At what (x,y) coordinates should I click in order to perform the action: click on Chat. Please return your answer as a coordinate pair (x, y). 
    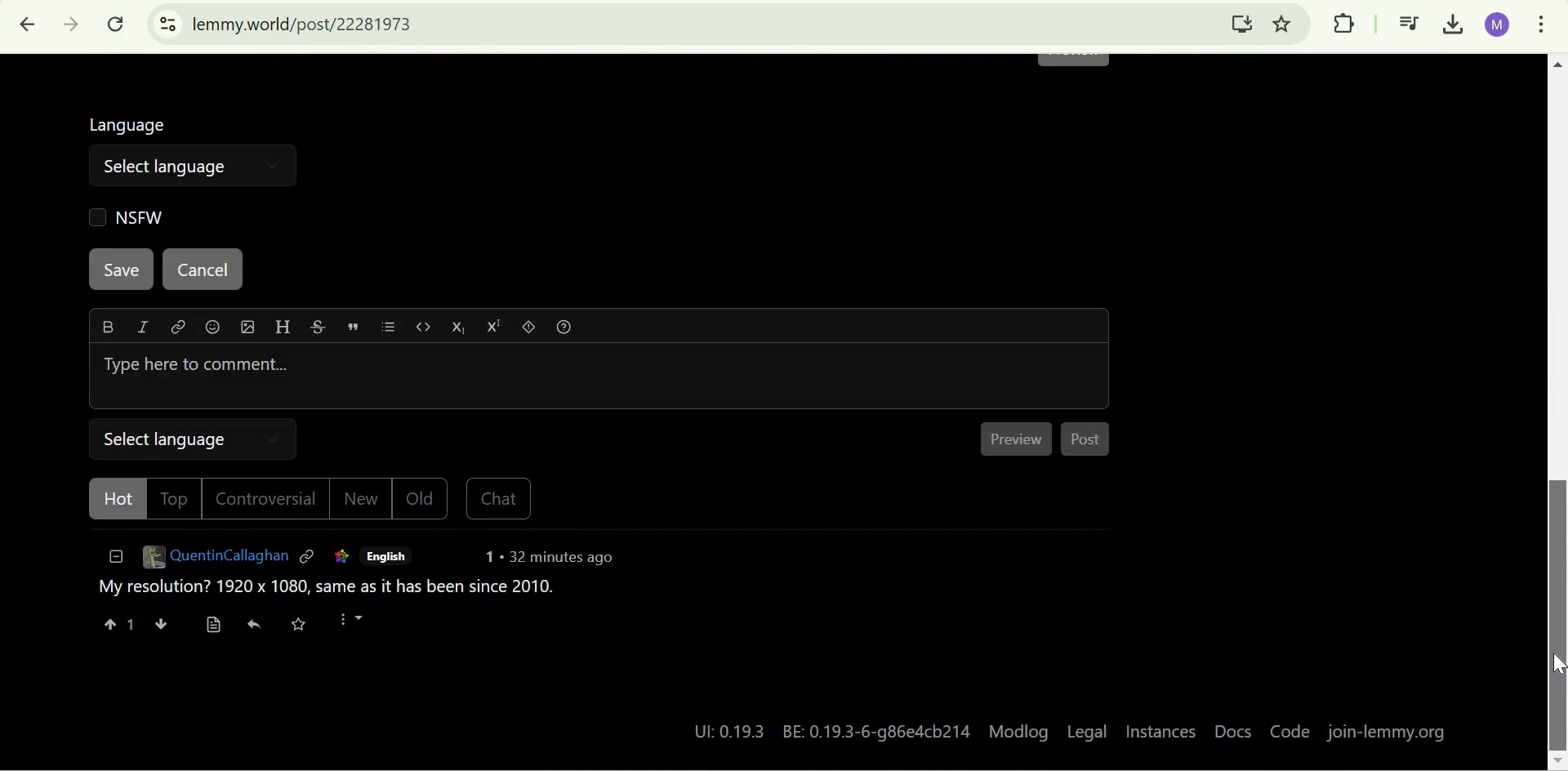
    Looking at the image, I should click on (497, 501).